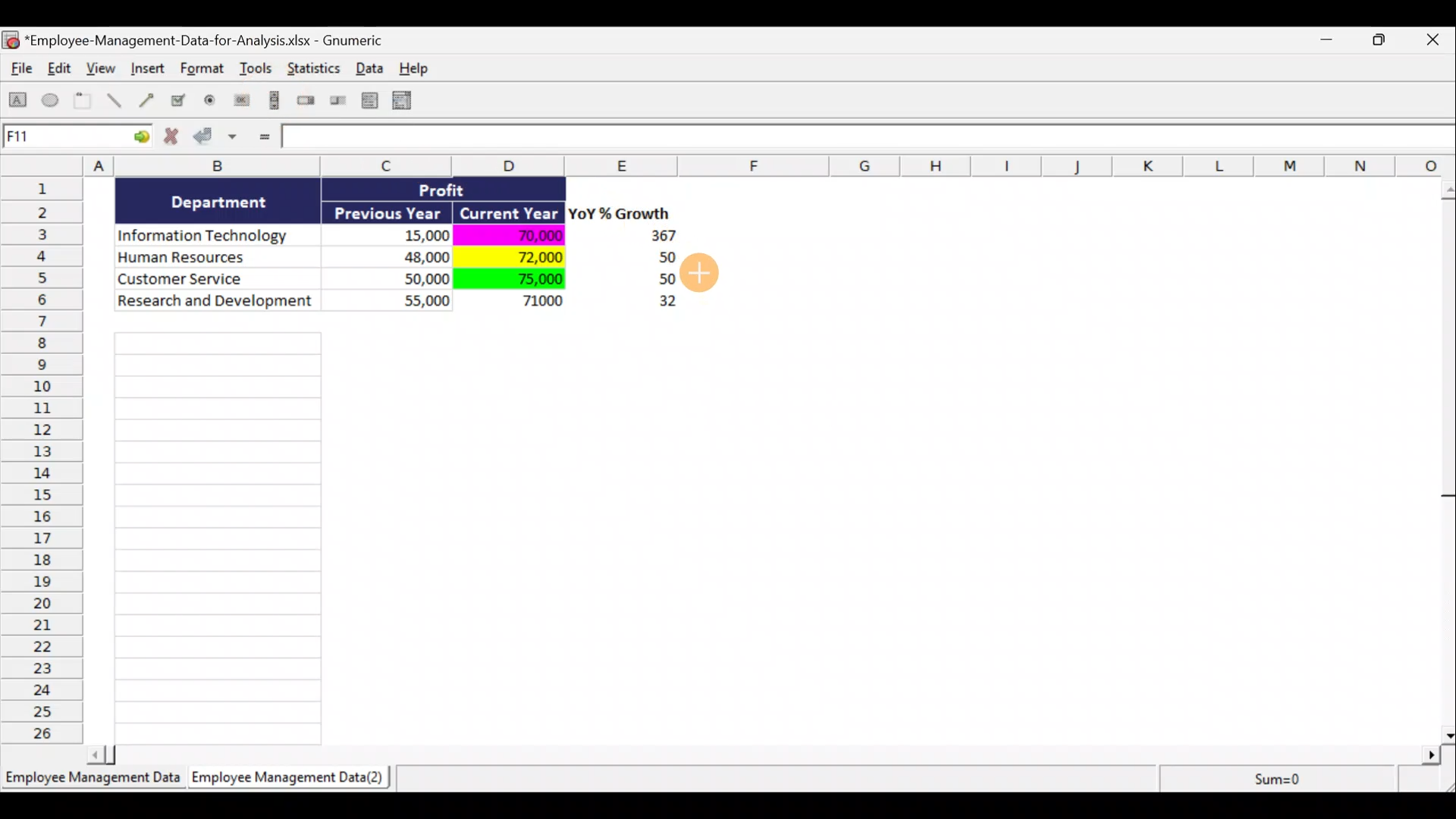 The height and width of the screenshot is (819, 1456). Describe the element at coordinates (1275, 779) in the screenshot. I see `Sum=0` at that location.